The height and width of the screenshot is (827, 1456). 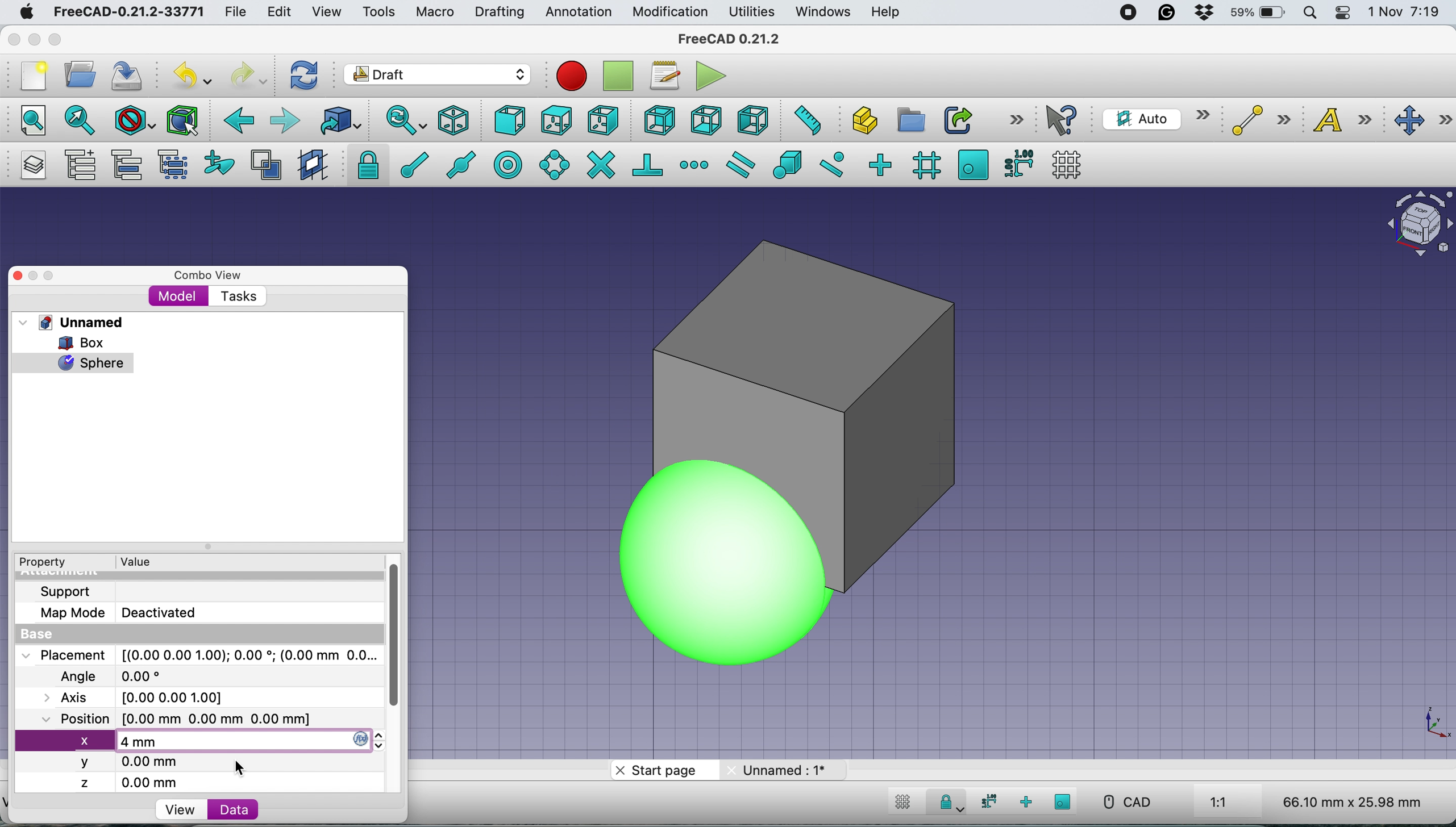 What do you see at coordinates (712, 76) in the screenshot?
I see `execute macros` at bounding box center [712, 76].